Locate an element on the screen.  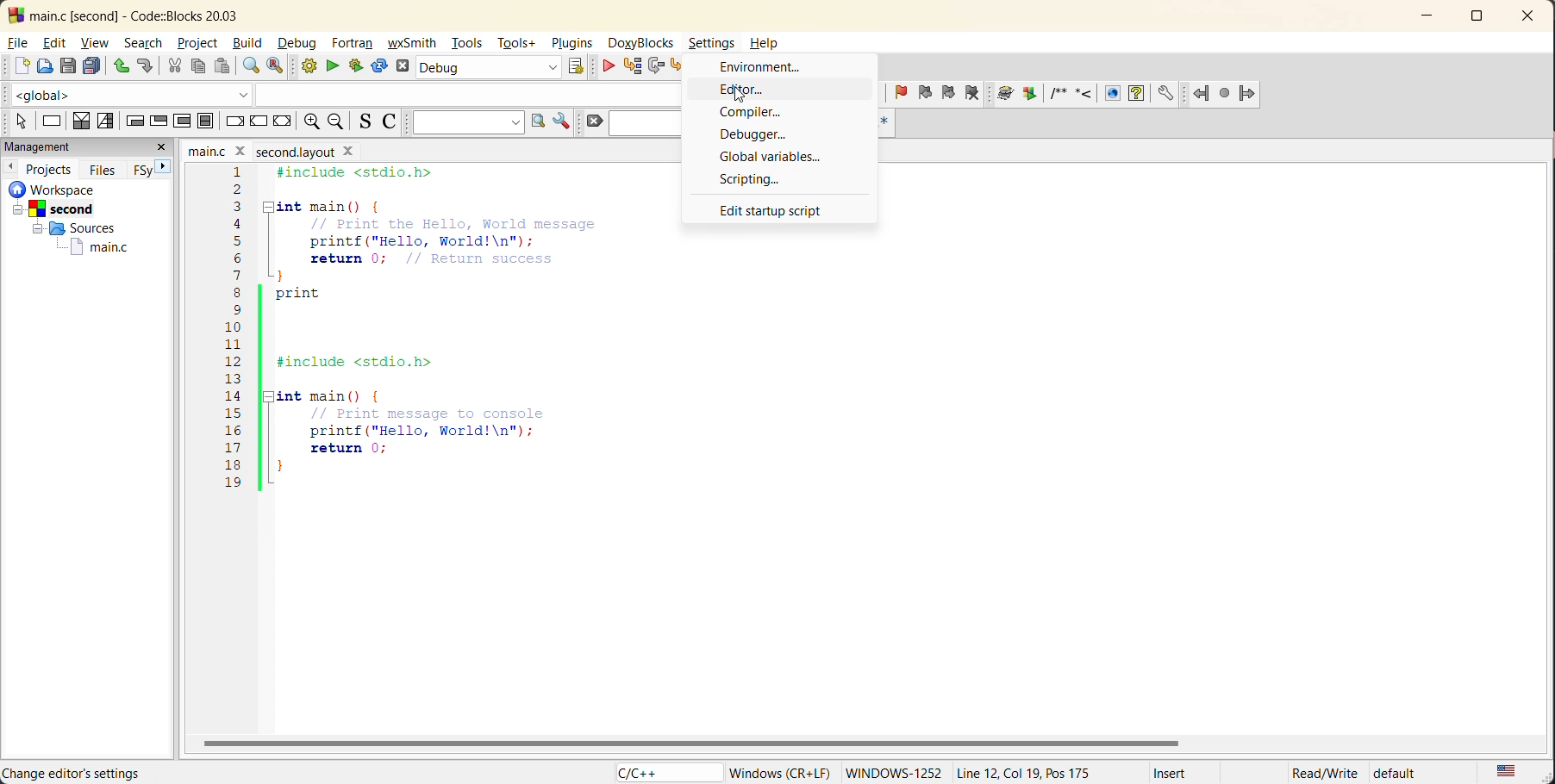
paste is located at coordinates (222, 66).